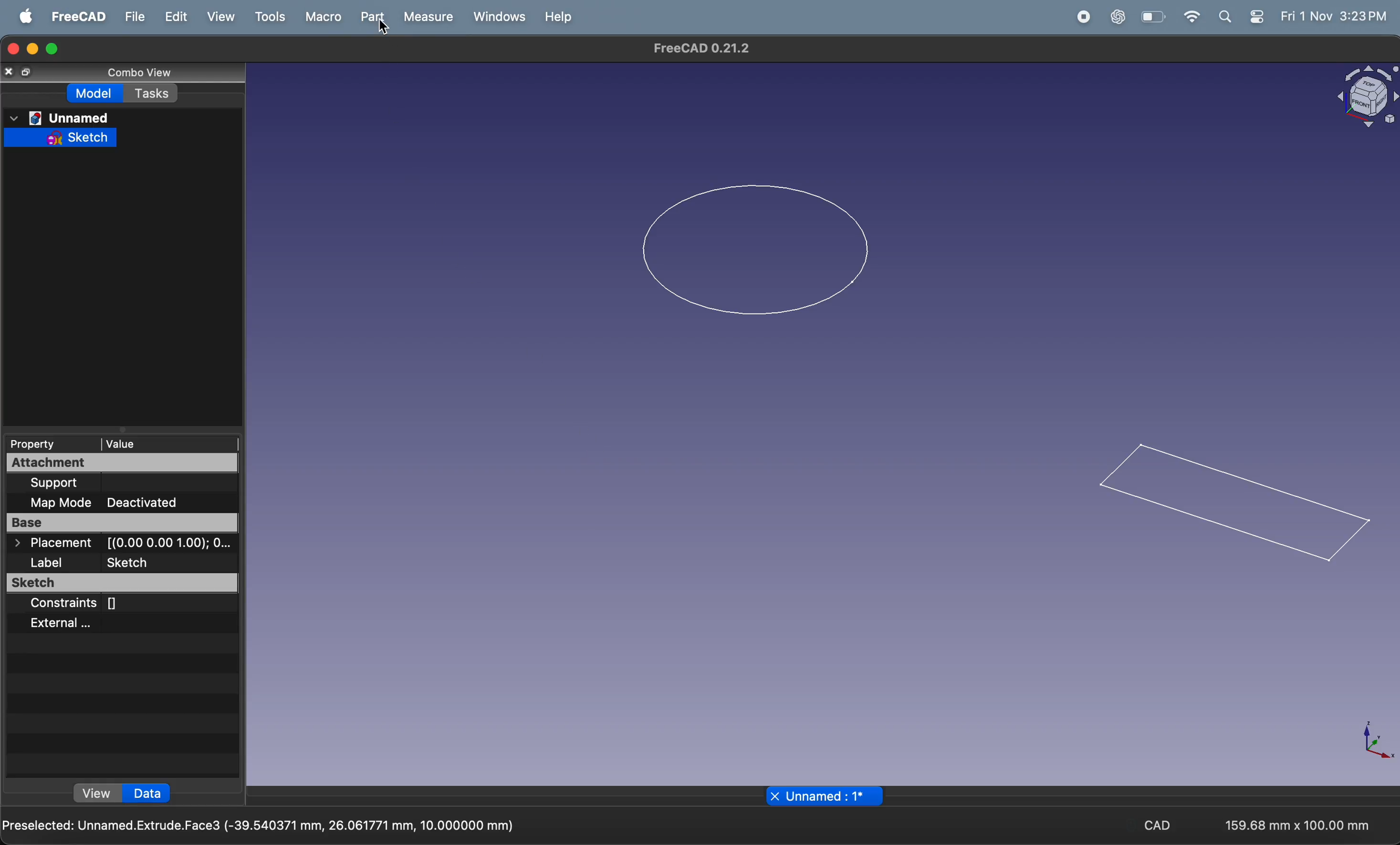 Image resolution: width=1400 pixels, height=845 pixels. Describe the element at coordinates (10, 72) in the screenshot. I see `close` at that location.